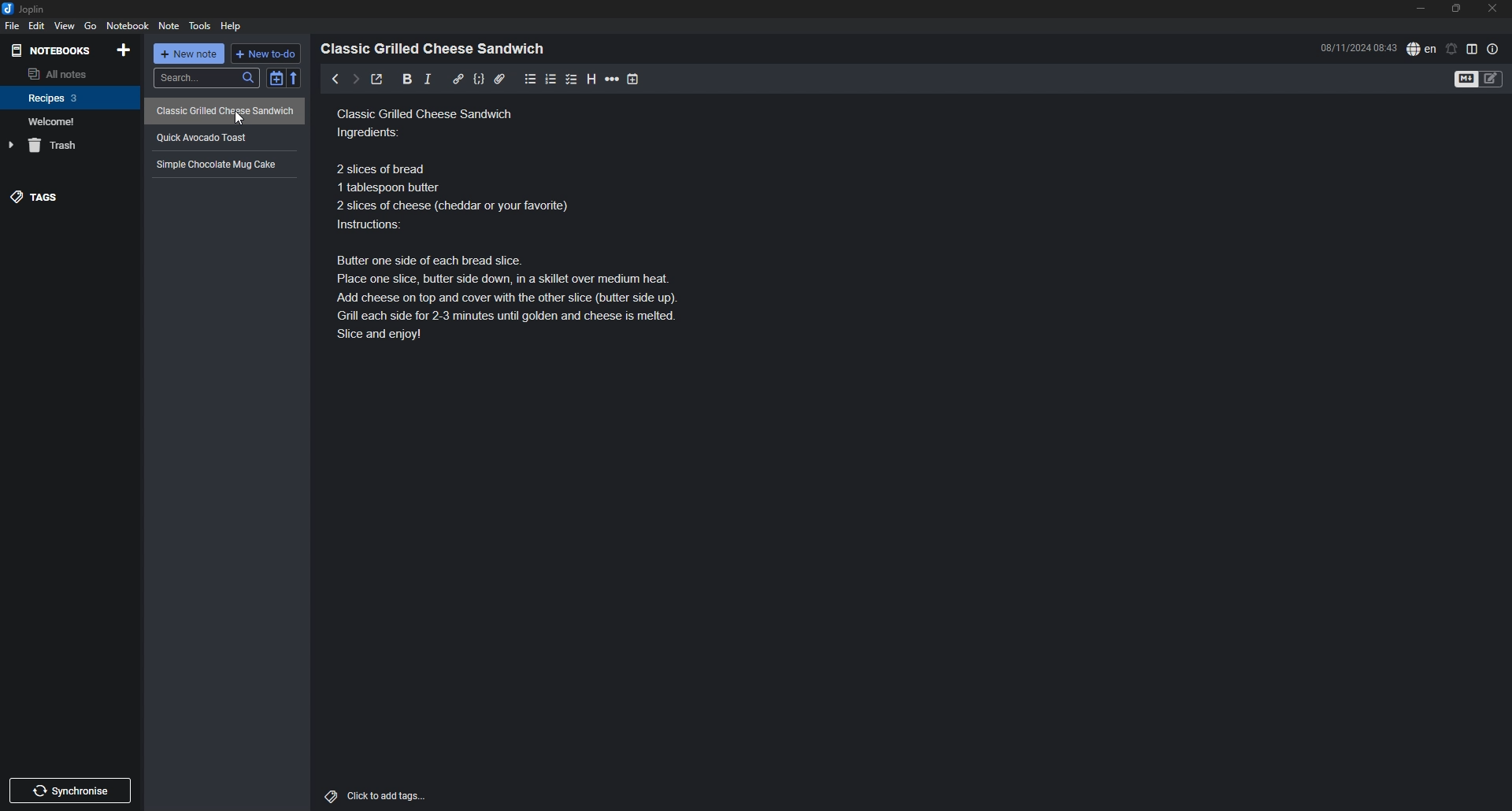 Image resolution: width=1512 pixels, height=811 pixels. I want to click on minimize, so click(1421, 9).